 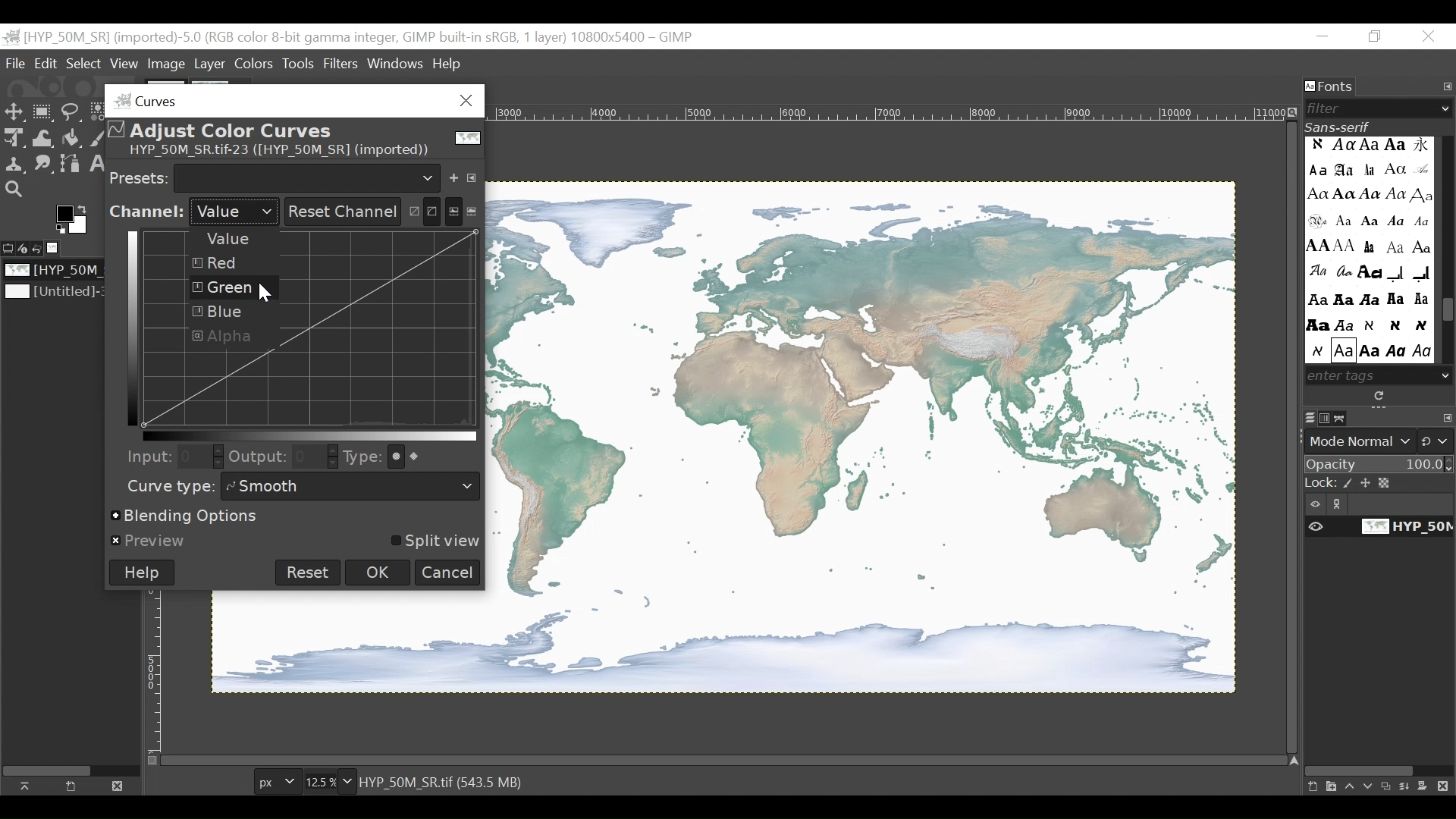 What do you see at coordinates (862, 438) in the screenshot?
I see `Image` at bounding box center [862, 438].